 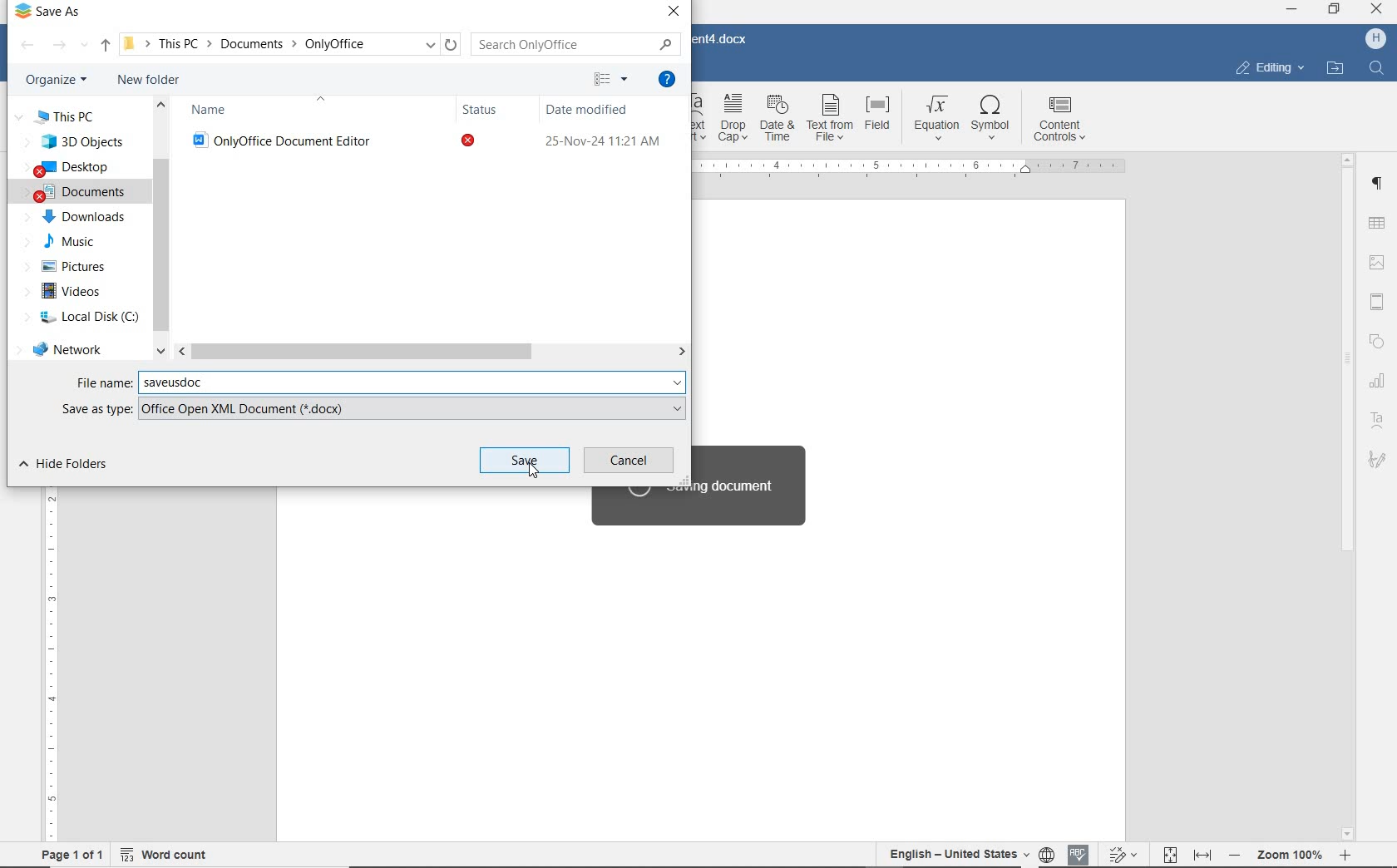 What do you see at coordinates (71, 142) in the screenshot?
I see `3D objects` at bounding box center [71, 142].